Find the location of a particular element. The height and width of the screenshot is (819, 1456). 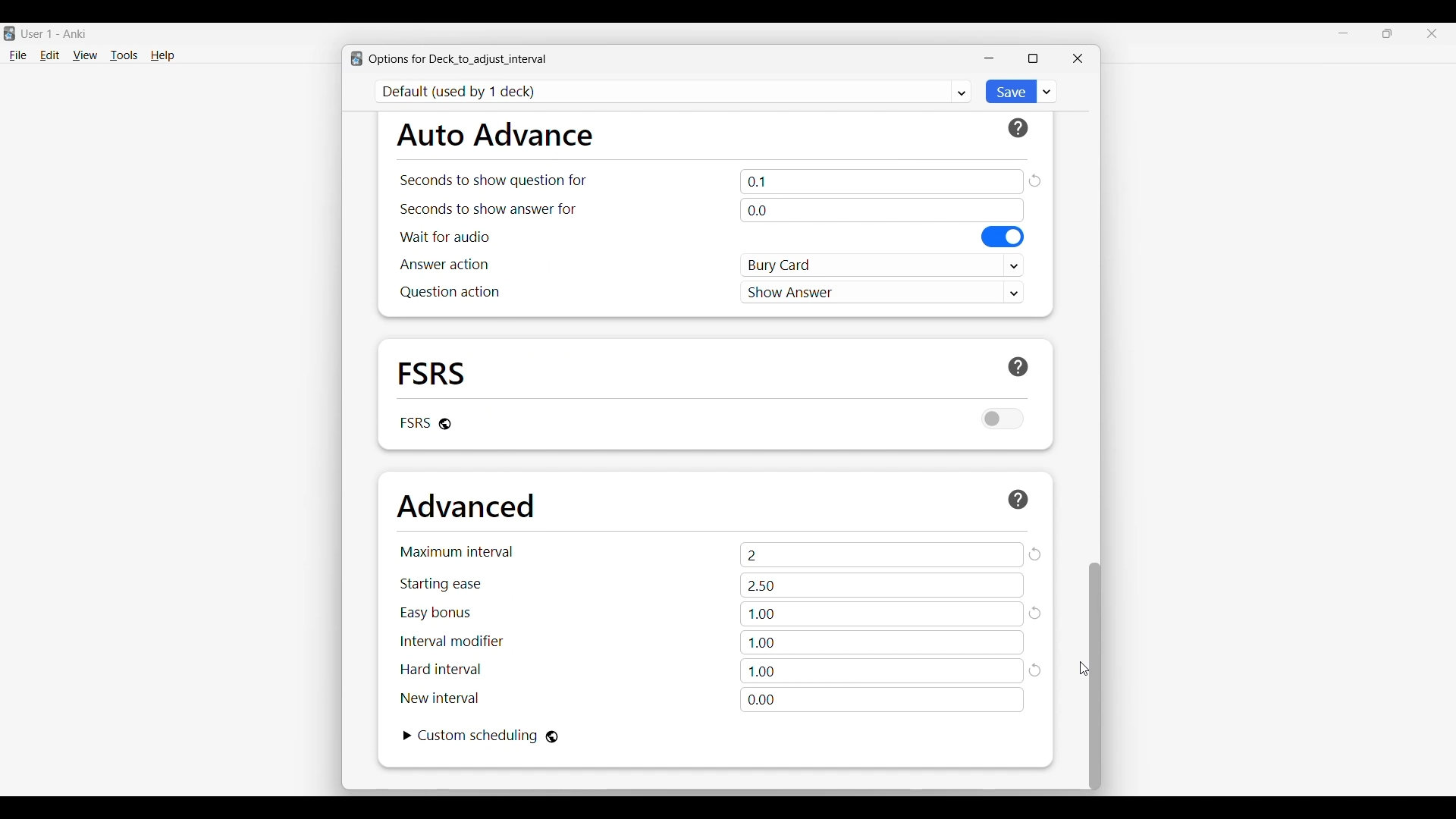

Advanced is located at coordinates (466, 506).